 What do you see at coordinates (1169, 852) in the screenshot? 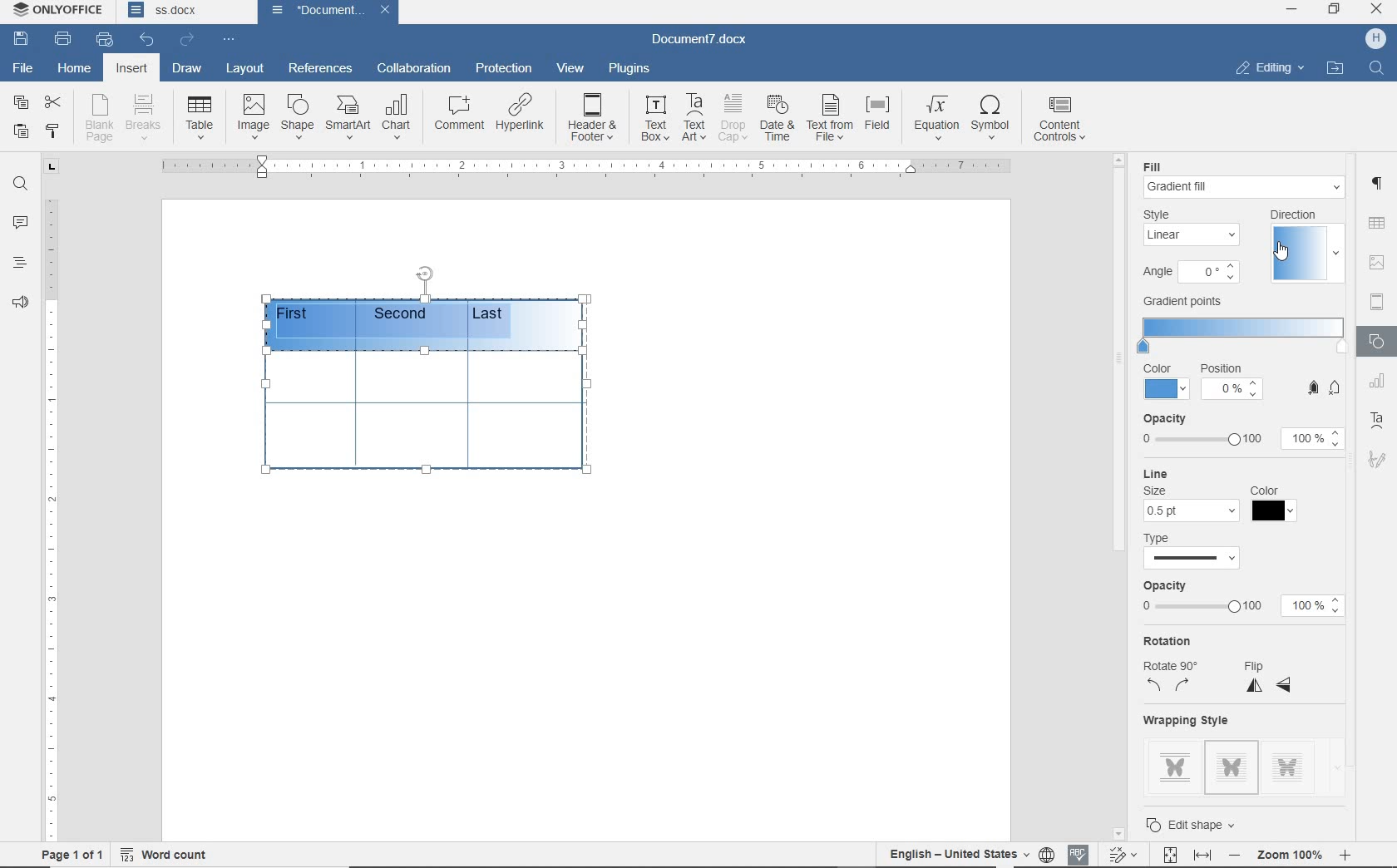
I see `fit to page` at bounding box center [1169, 852].